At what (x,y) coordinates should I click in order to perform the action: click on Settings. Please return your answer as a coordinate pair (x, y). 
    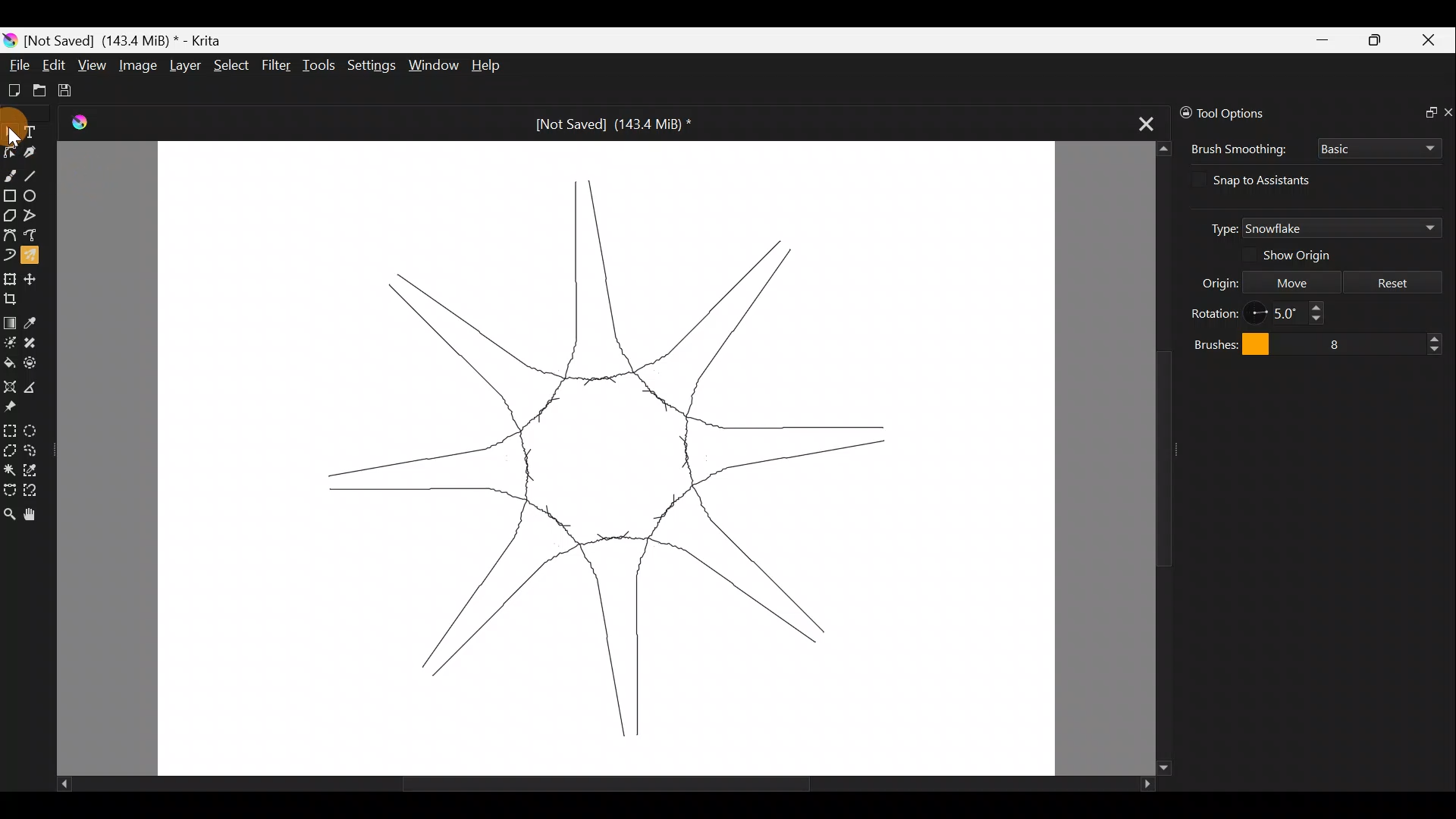
    Looking at the image, I should click on (369, 66).